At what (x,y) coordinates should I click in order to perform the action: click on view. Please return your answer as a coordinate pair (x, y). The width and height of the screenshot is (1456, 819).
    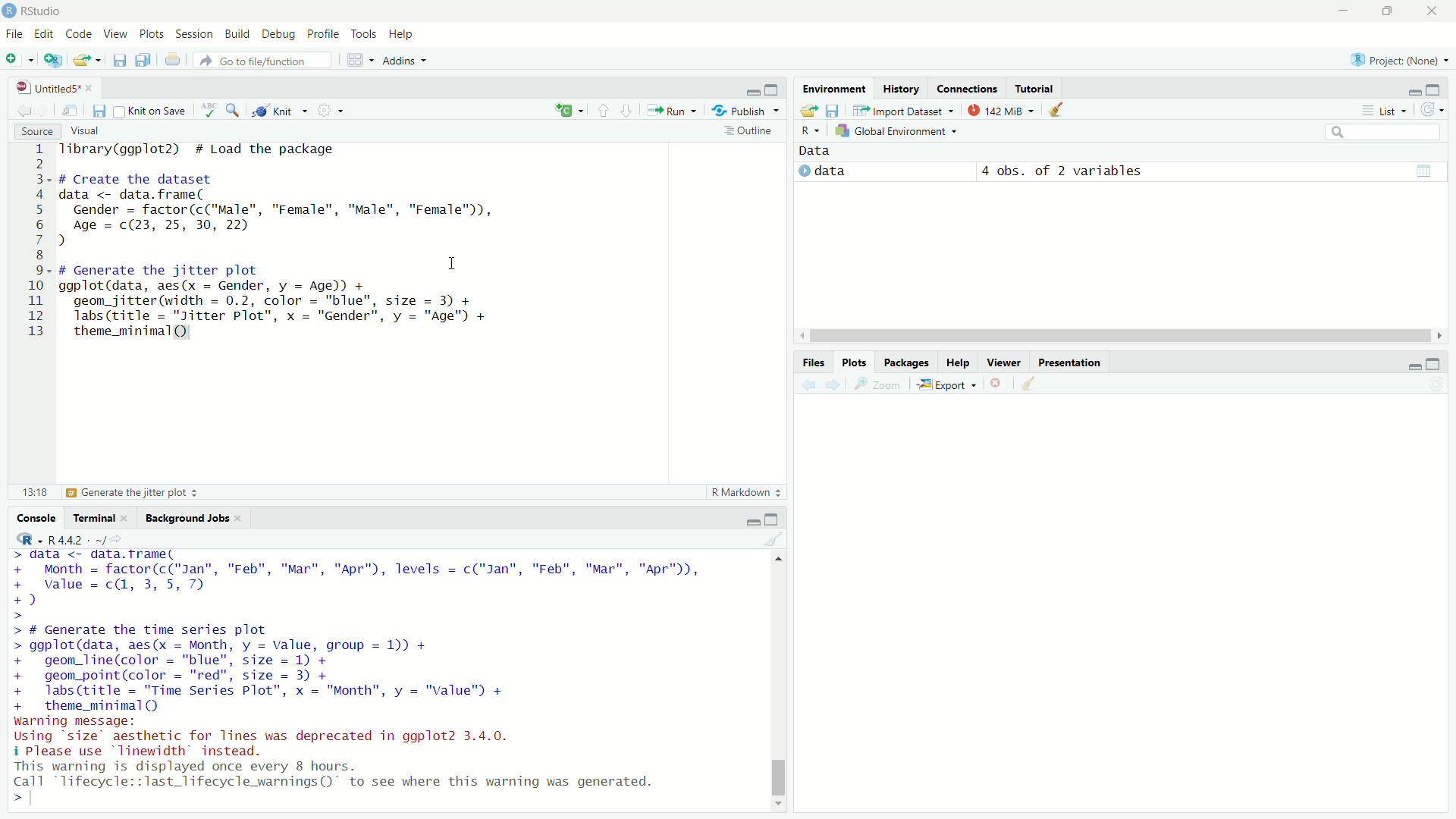
    Looking at the image, I should click on (112, 33).